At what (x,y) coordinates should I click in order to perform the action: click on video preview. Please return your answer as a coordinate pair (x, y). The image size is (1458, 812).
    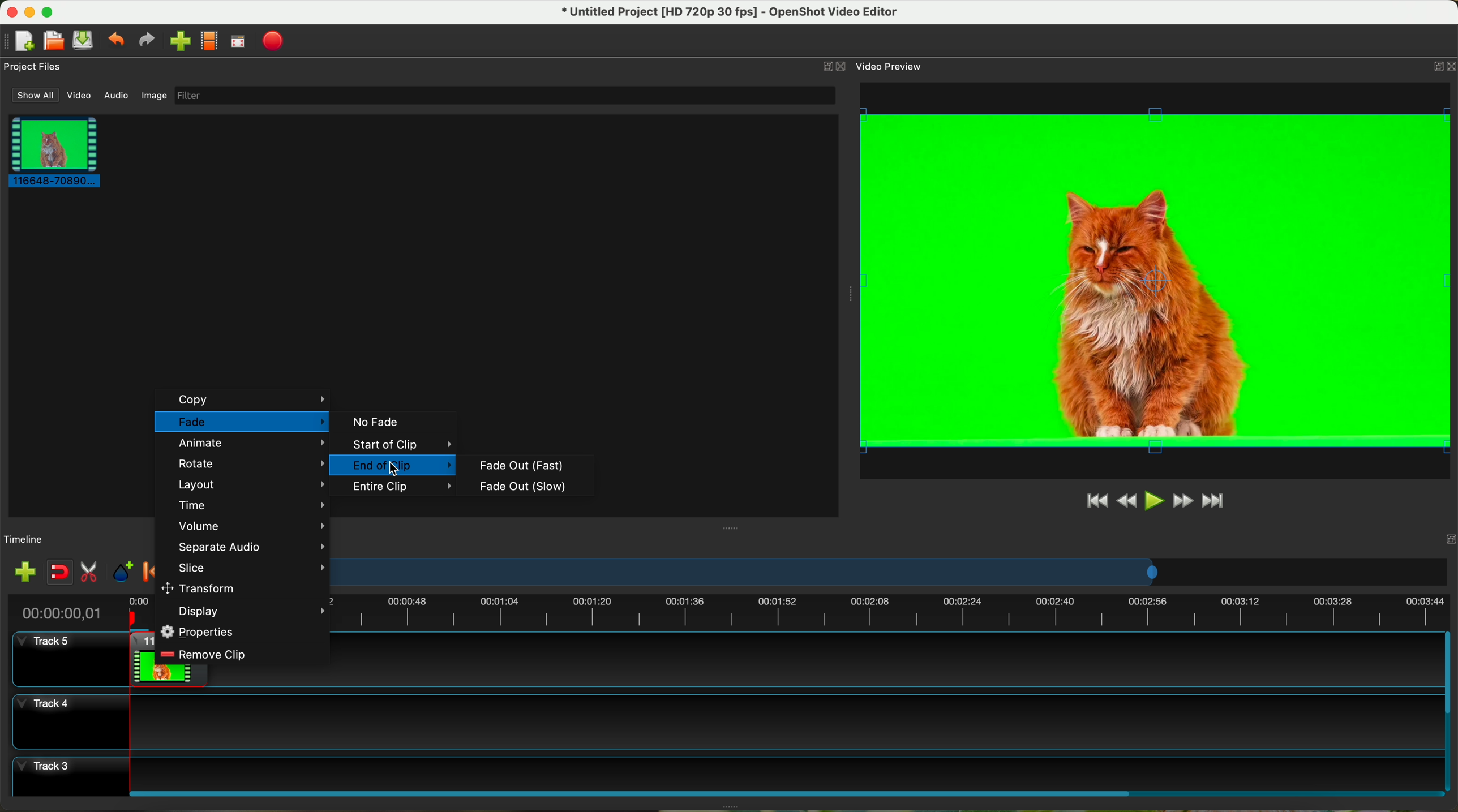
    Looking at the image, I should click on (1155, 281).